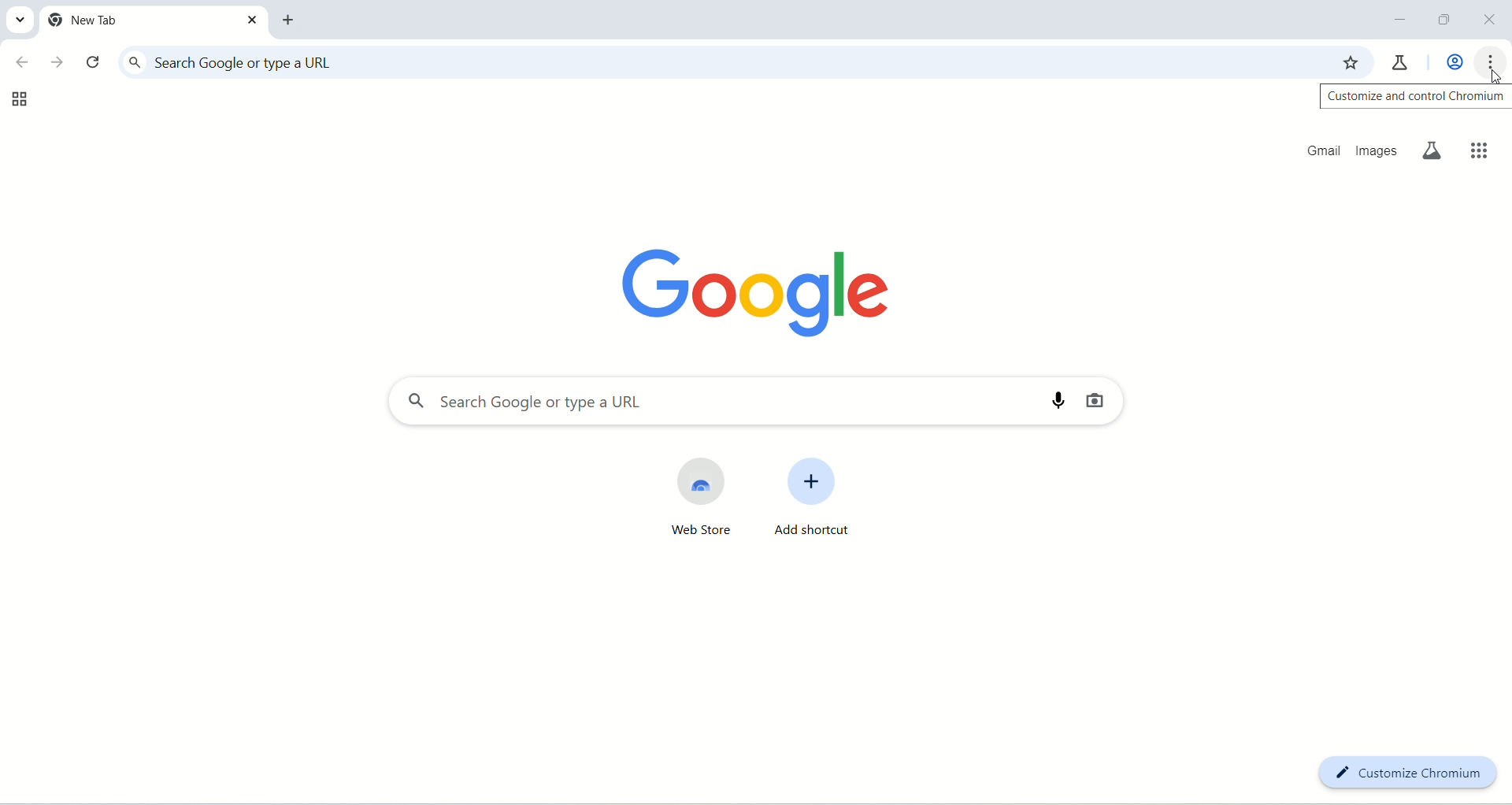 This screenshot has height=805, width=1512. I want to click on customize and control chromium, so click(1414, 96).